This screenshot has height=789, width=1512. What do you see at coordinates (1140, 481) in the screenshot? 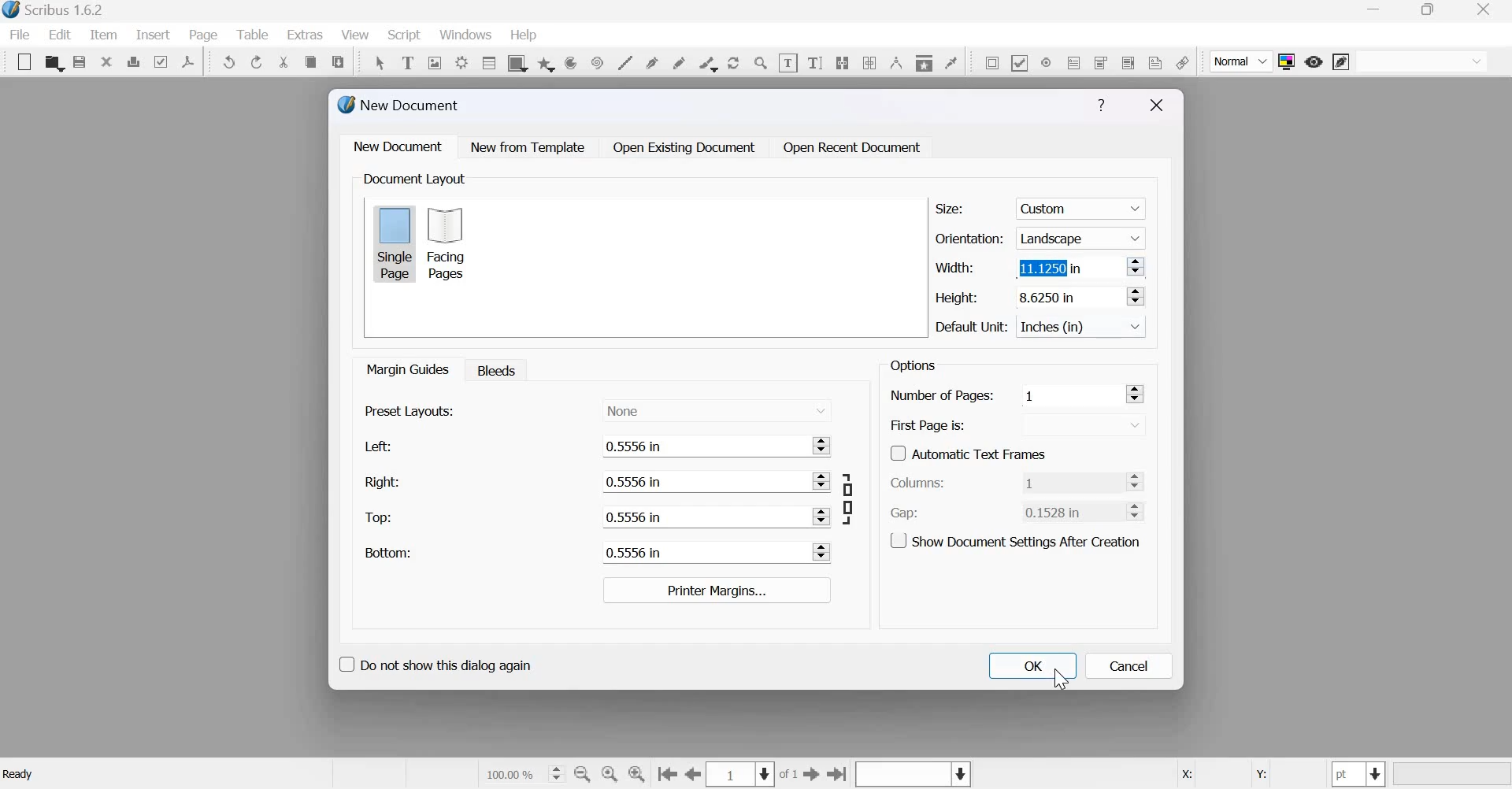
I see `Increase and Decrease` at bounding box center [1140, 481].